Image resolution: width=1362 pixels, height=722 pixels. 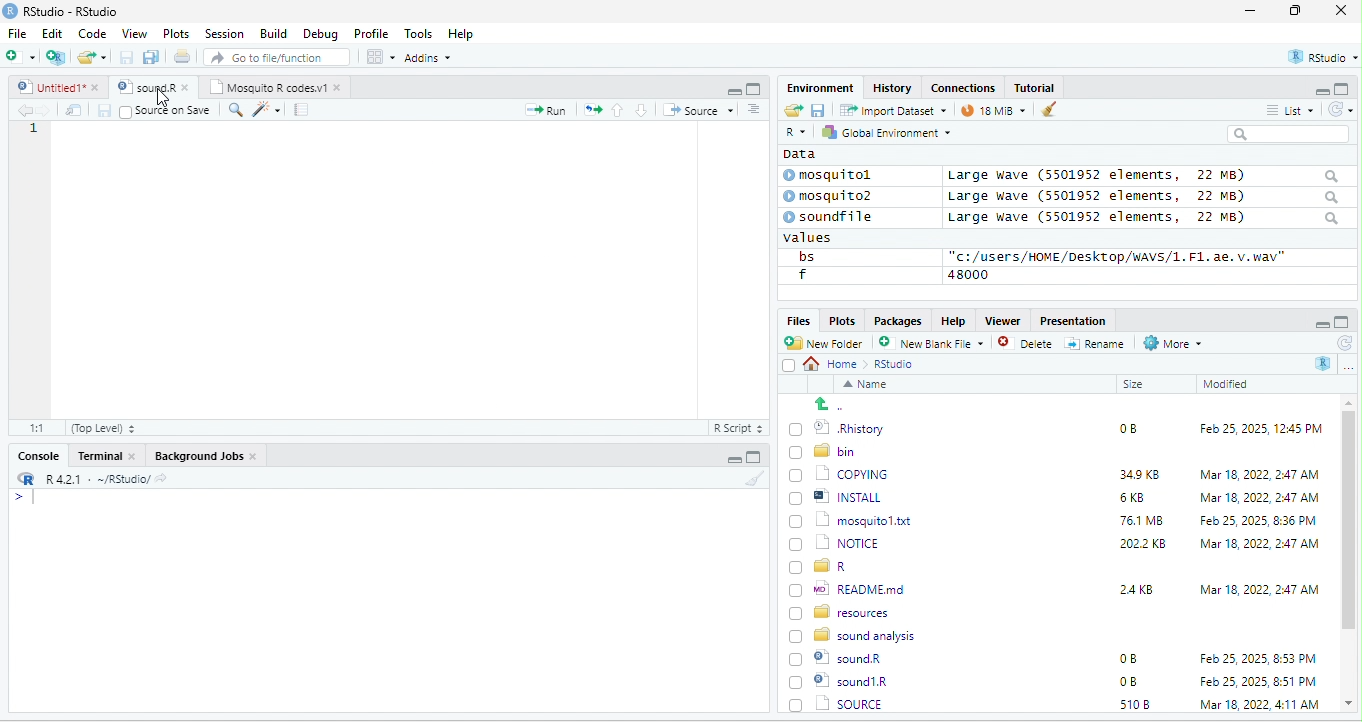 I want to click on Build, so click(x=274, y=33).